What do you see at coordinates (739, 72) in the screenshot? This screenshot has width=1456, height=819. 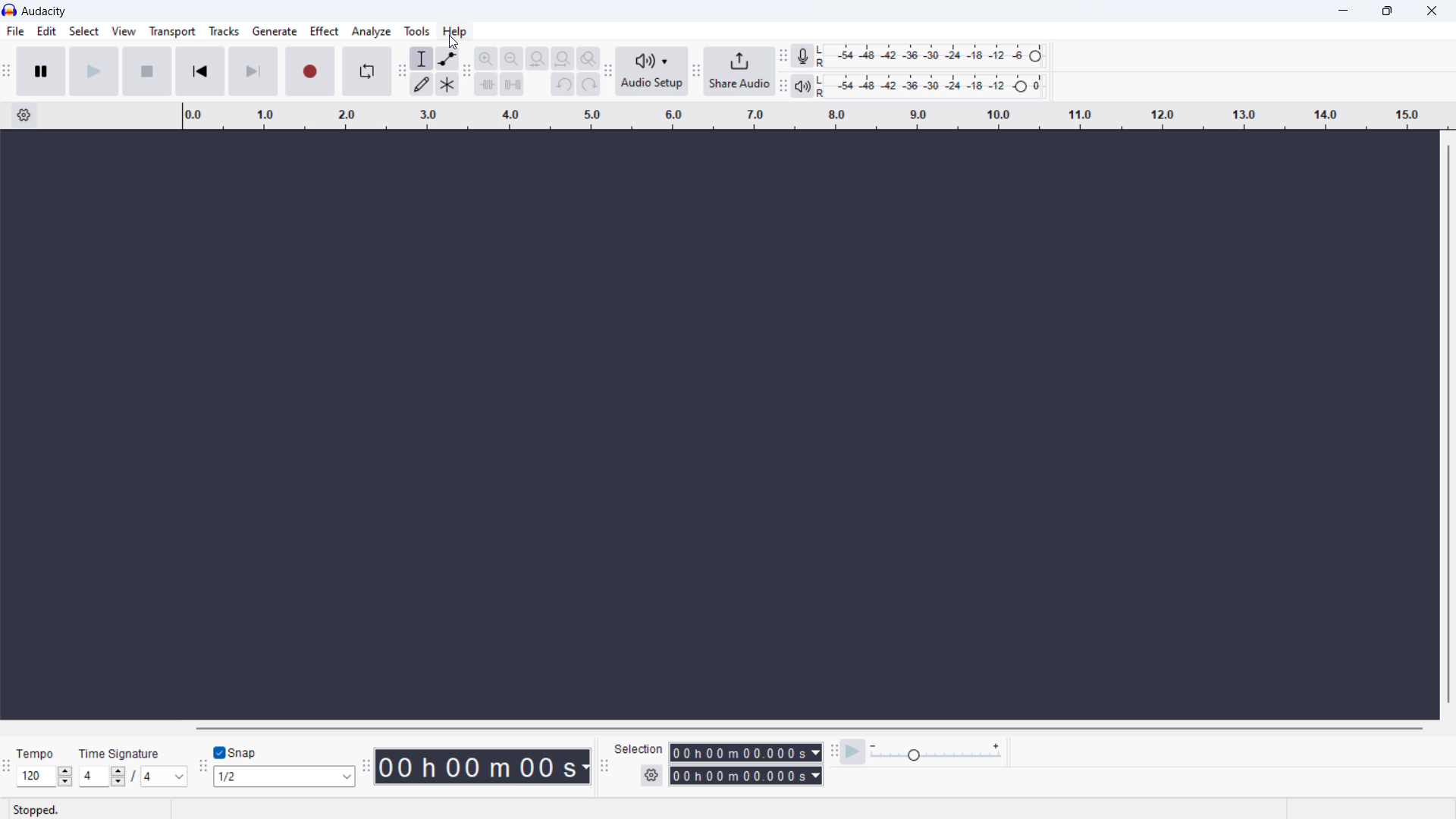 I see `share audio` at bounding box center [739, 72].